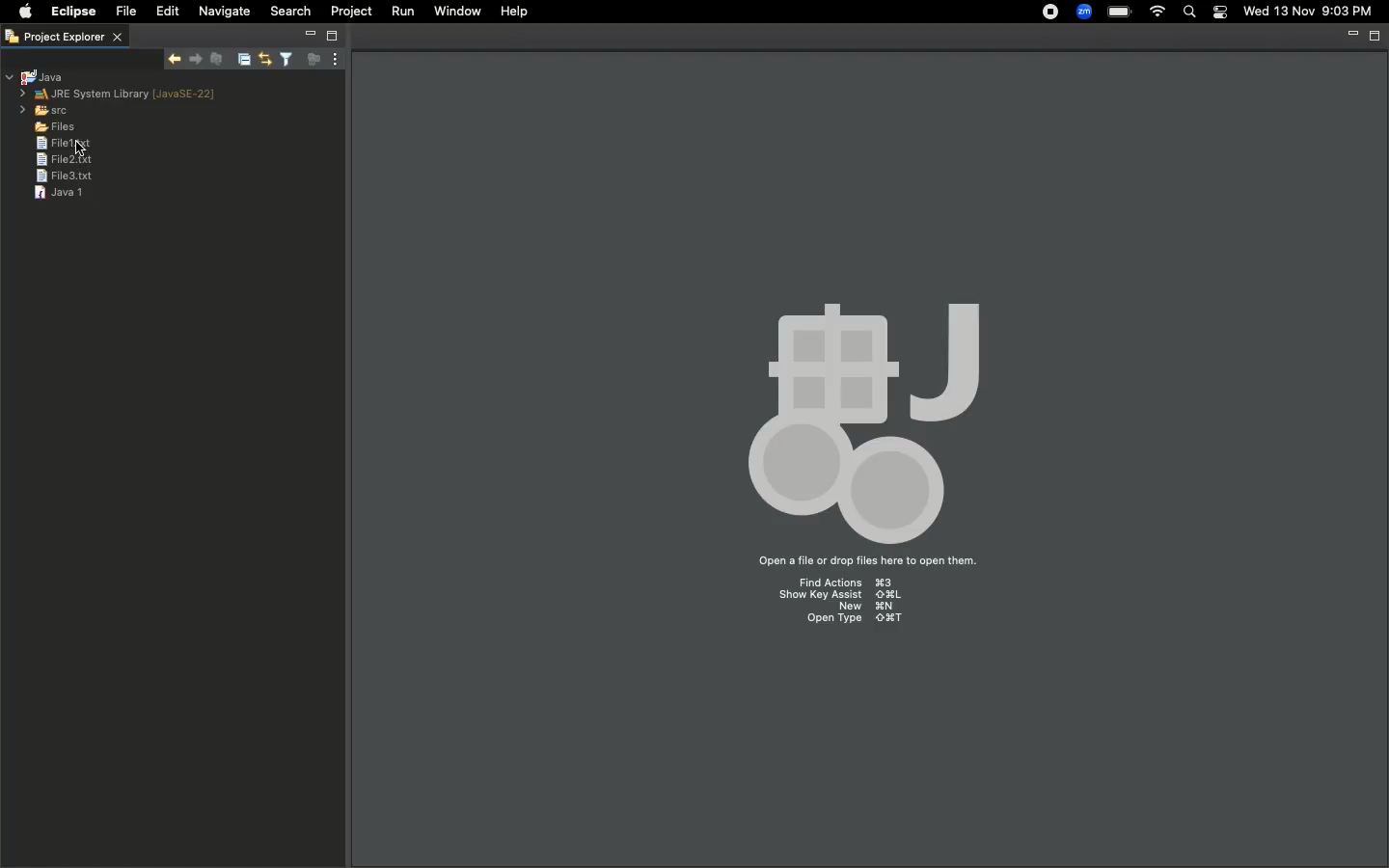 This screenshot has height=868, width=1389. What do you see at coordinates (1348, 36) in the screenshot?
I see `Minimize` at bounding box center [1348, 36].